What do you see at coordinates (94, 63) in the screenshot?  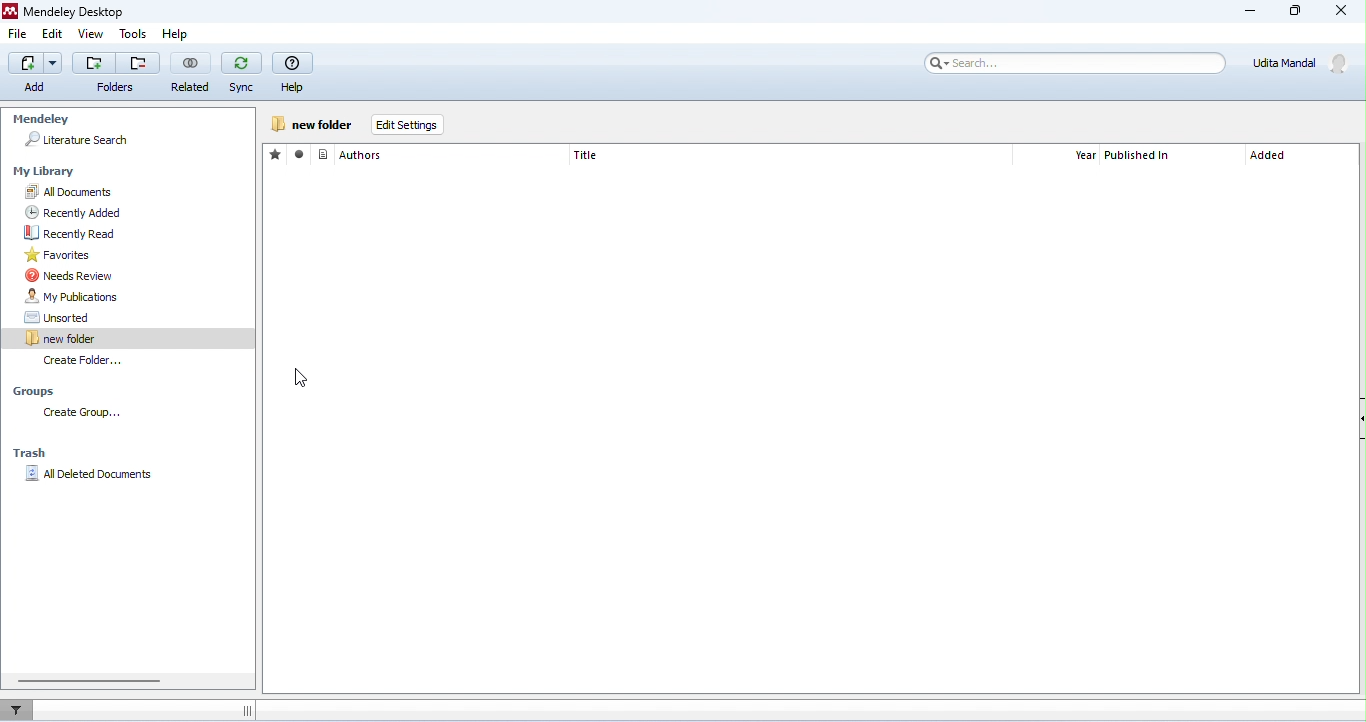 I see `add` at bounding box center [94, 63].